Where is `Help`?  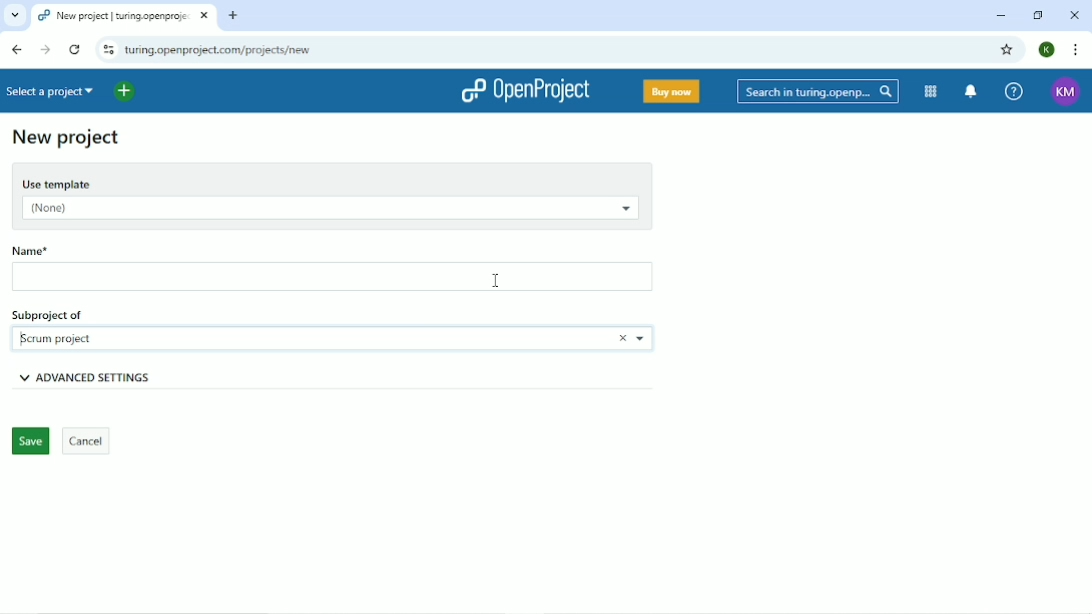
Help is located at coordinates (1014, 90).